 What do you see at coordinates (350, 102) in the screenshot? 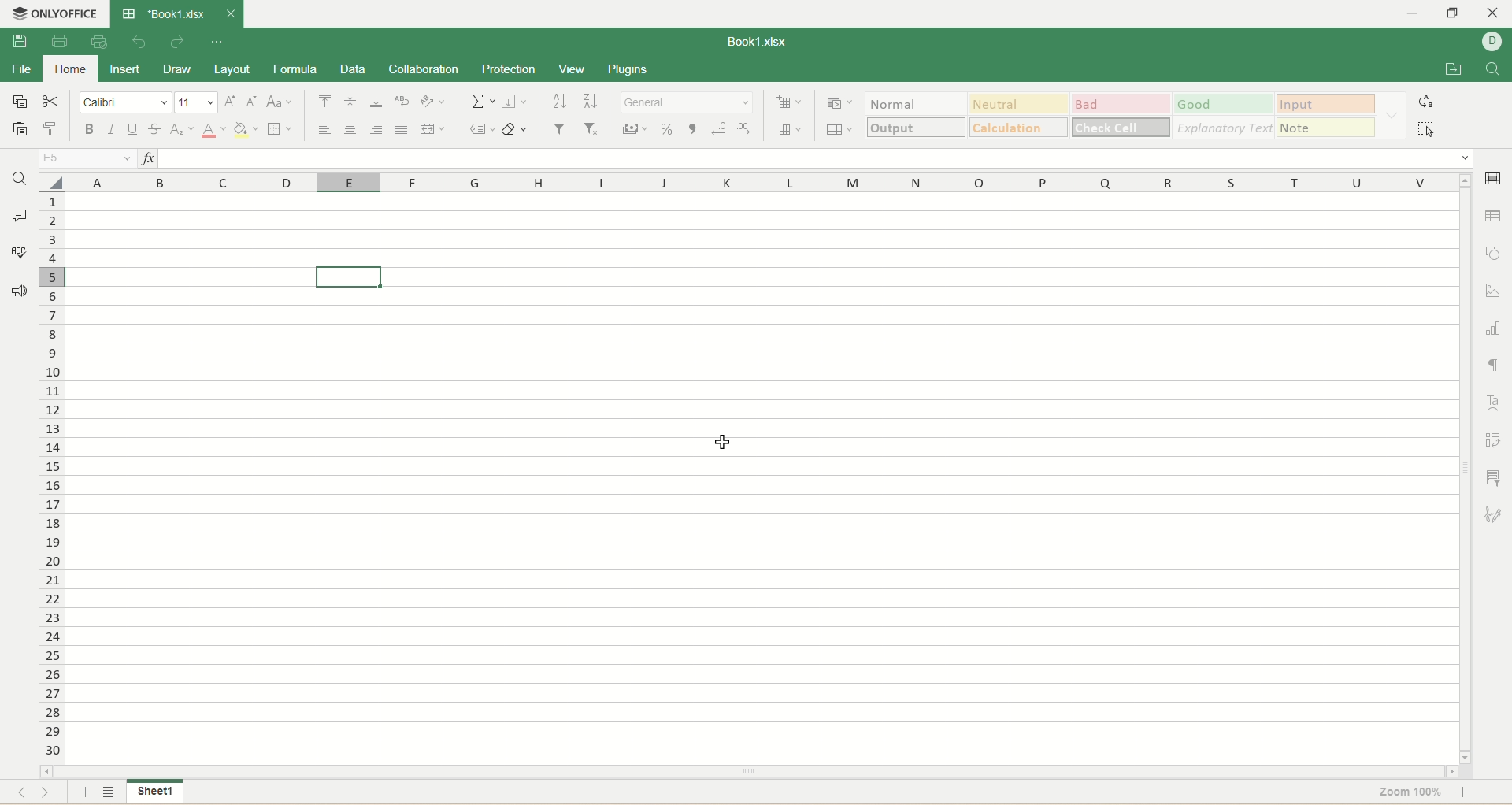
I see `align middle` at bounding box center [350, 102].